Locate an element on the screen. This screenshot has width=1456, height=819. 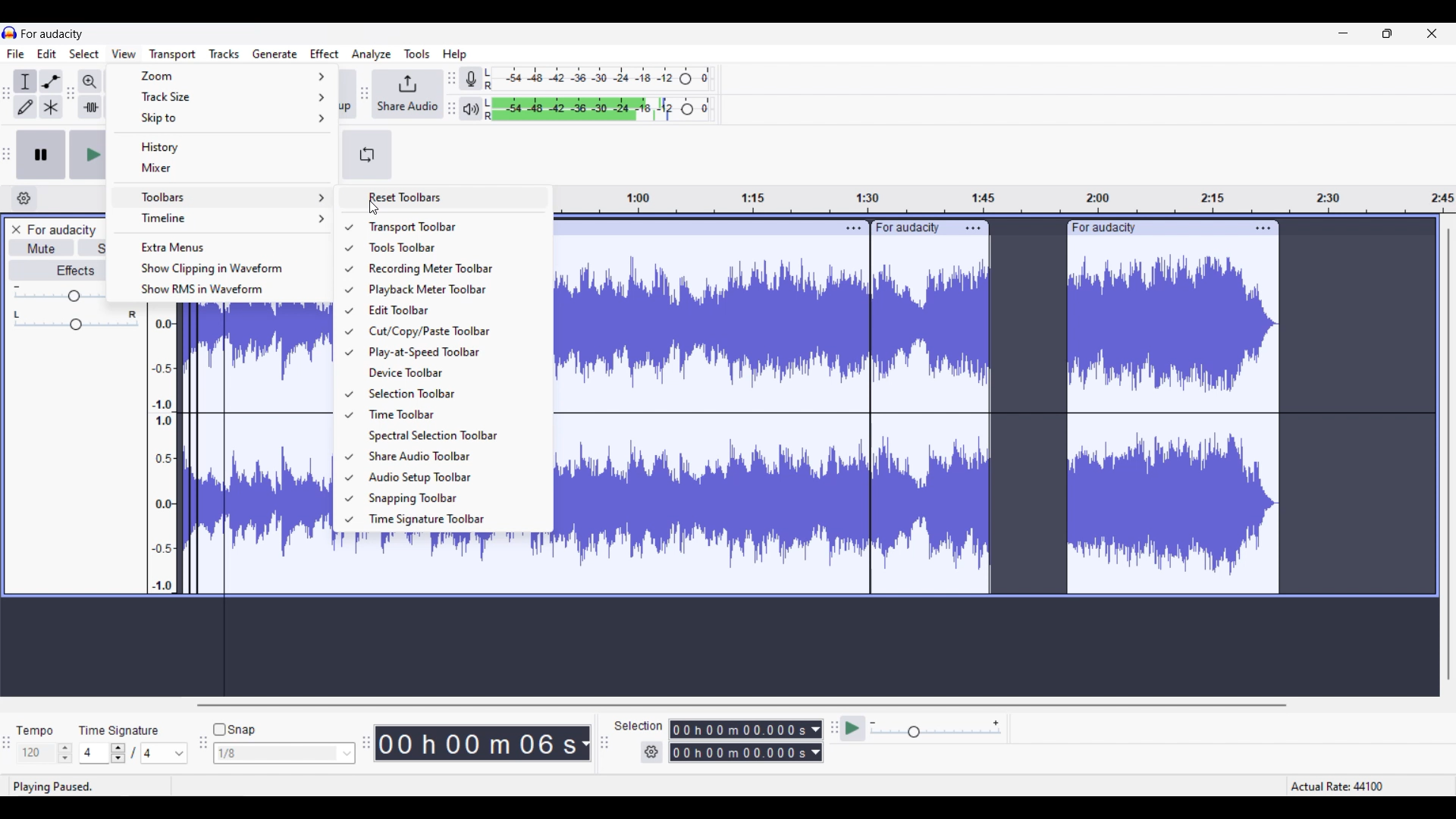
Show clipping in waveform  is located at coordinates (224, 268).